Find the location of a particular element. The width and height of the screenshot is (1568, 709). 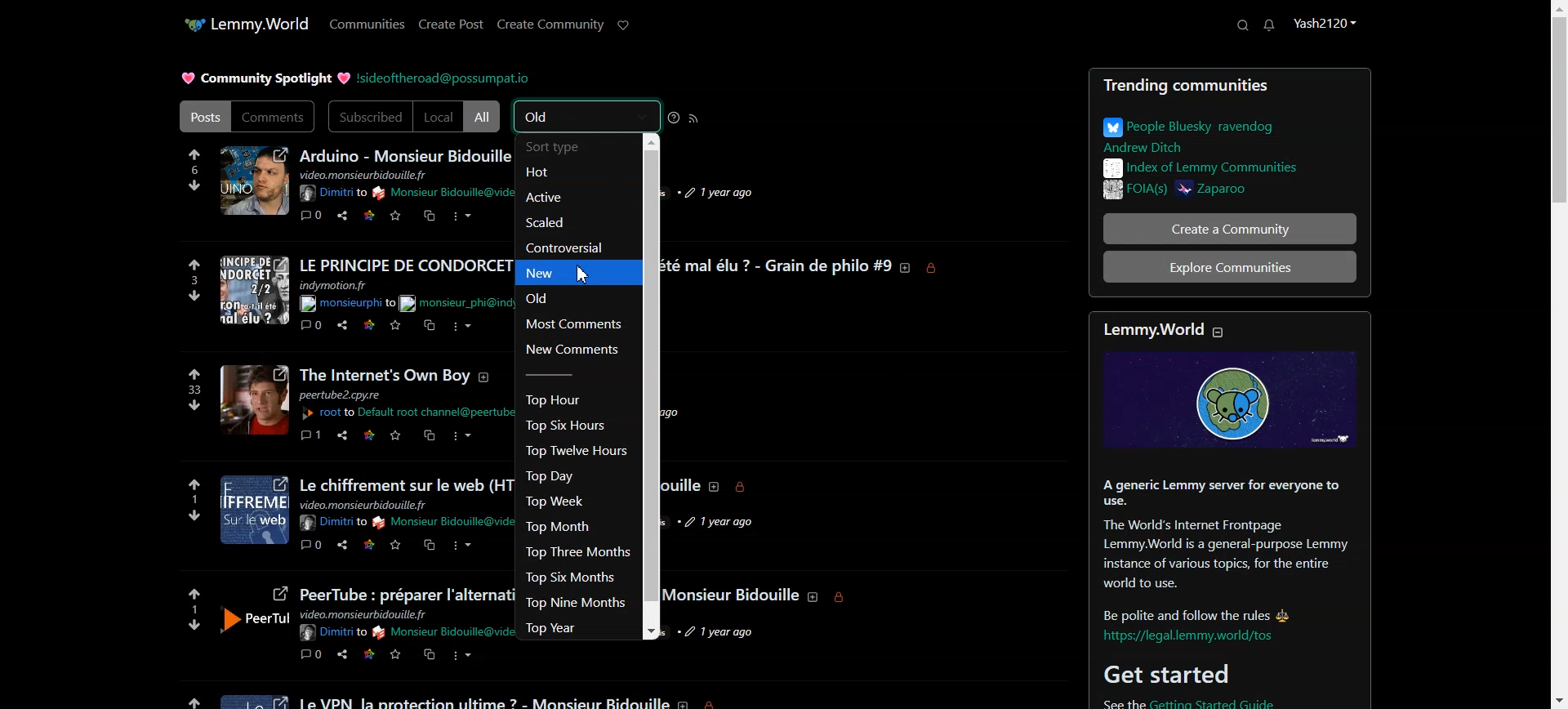

 is located at coordinates (311, 543).